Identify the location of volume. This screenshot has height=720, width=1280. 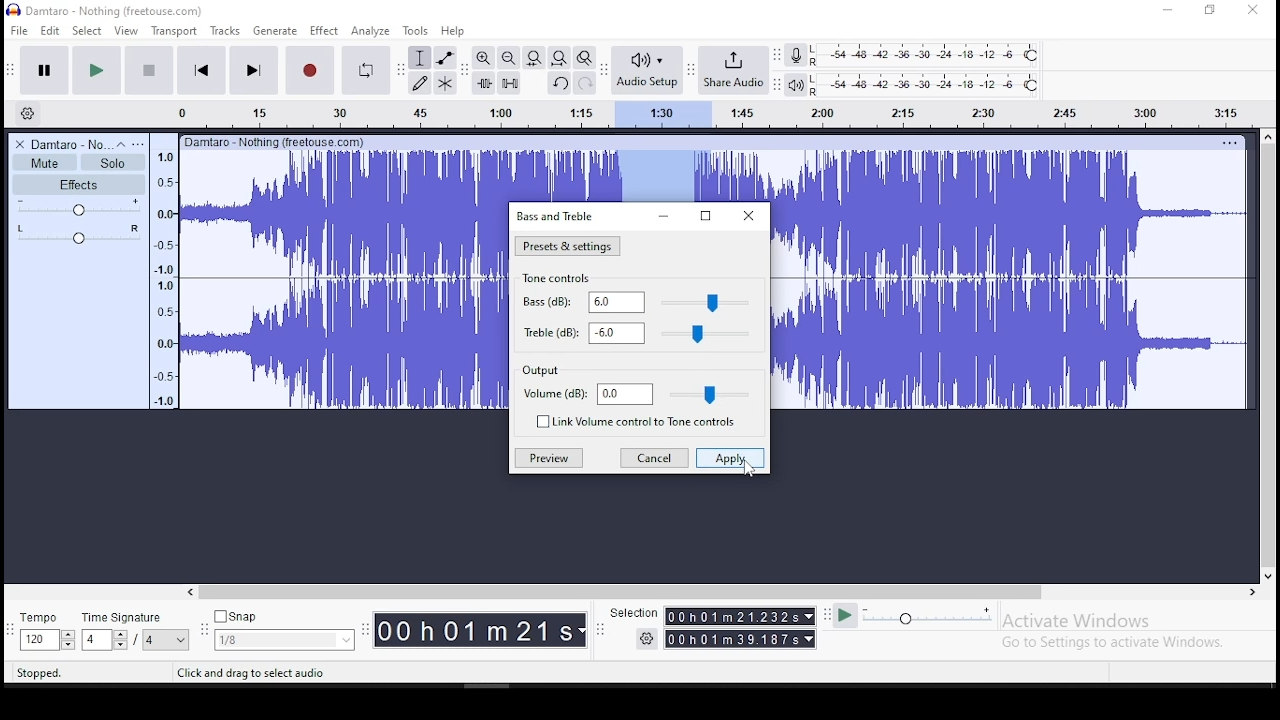
(80, 207).